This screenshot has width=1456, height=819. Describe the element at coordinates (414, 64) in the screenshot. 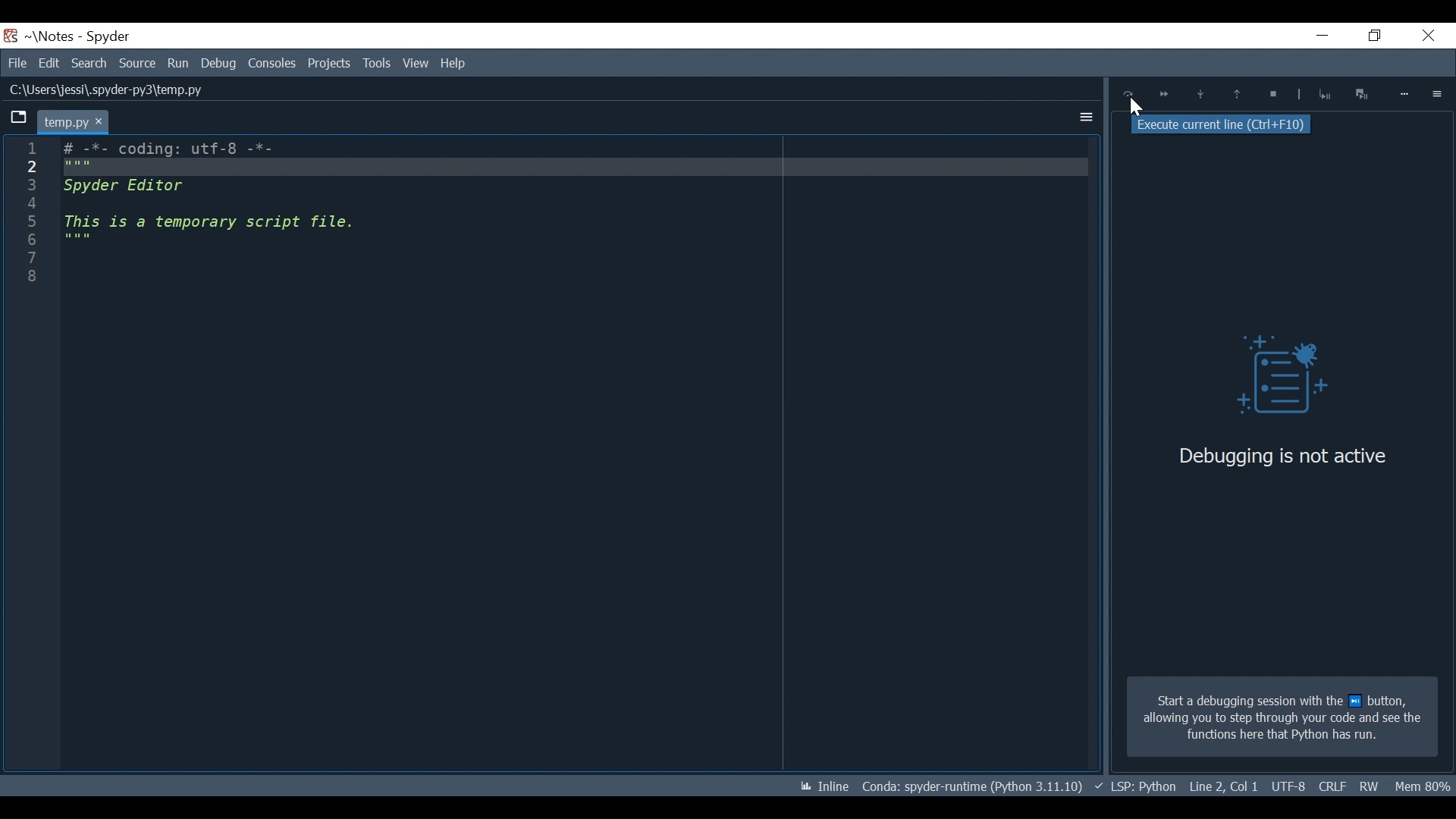

I see `Help` at that location.